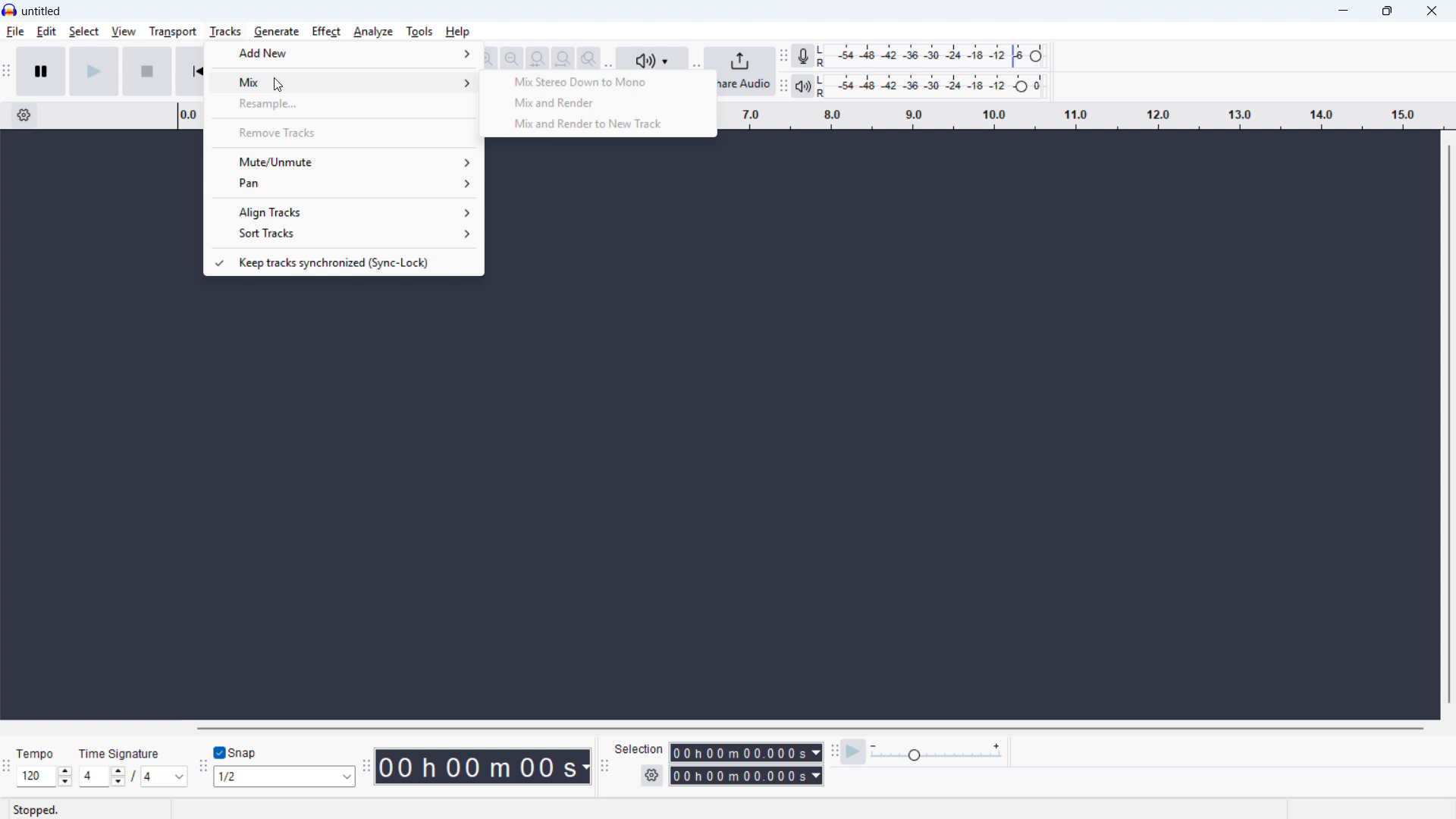 Image resolution: width=1456 pixels, height=819 pixels. What do you see at coordinates (1078, 115) in the screenshot?
I see `Timeline ` at bounding box center [1078, 115].